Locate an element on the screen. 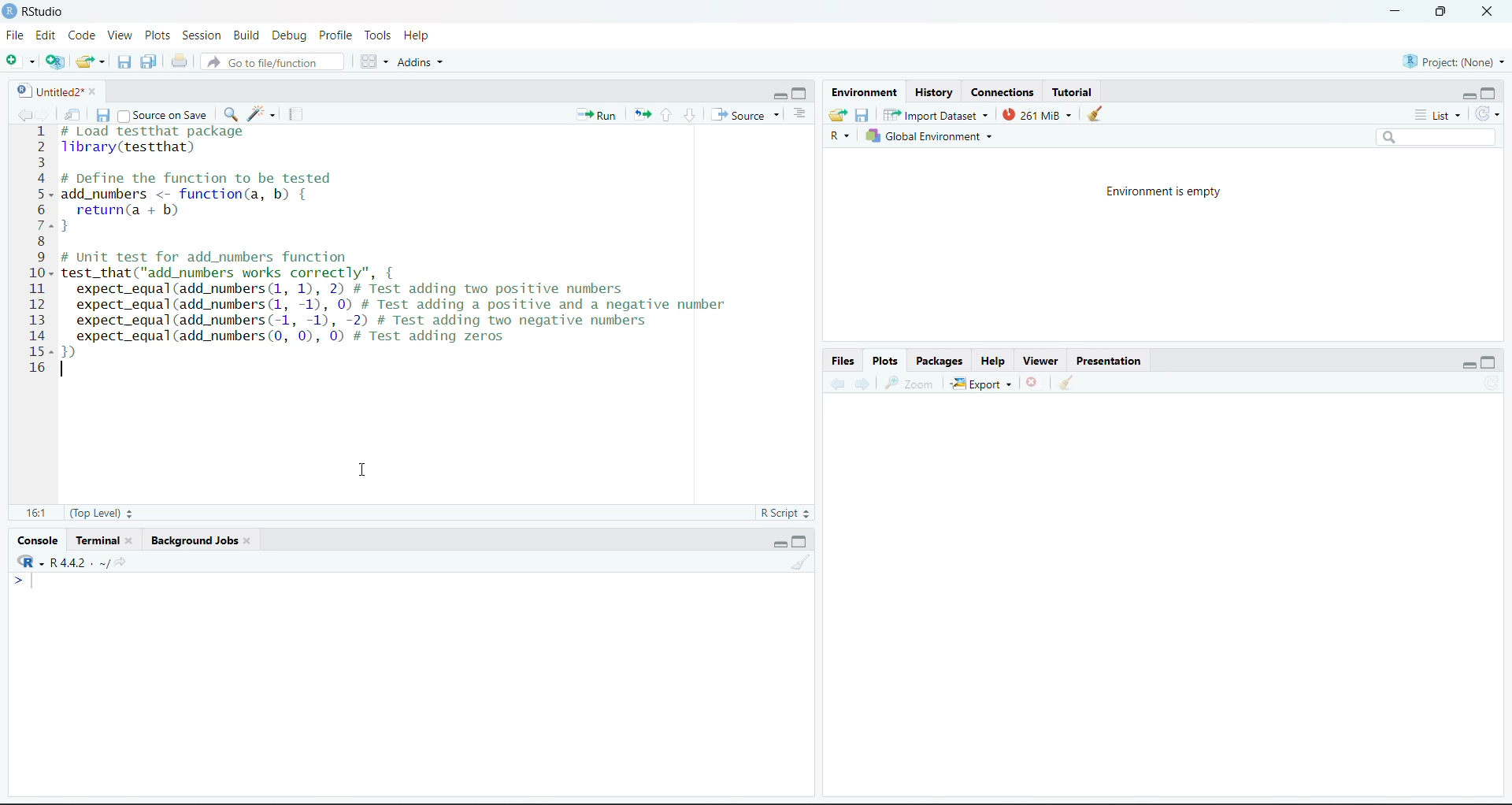 The height and width of the screenshot is (805, 1512). Viewer is located at coordinates (1039, 362).